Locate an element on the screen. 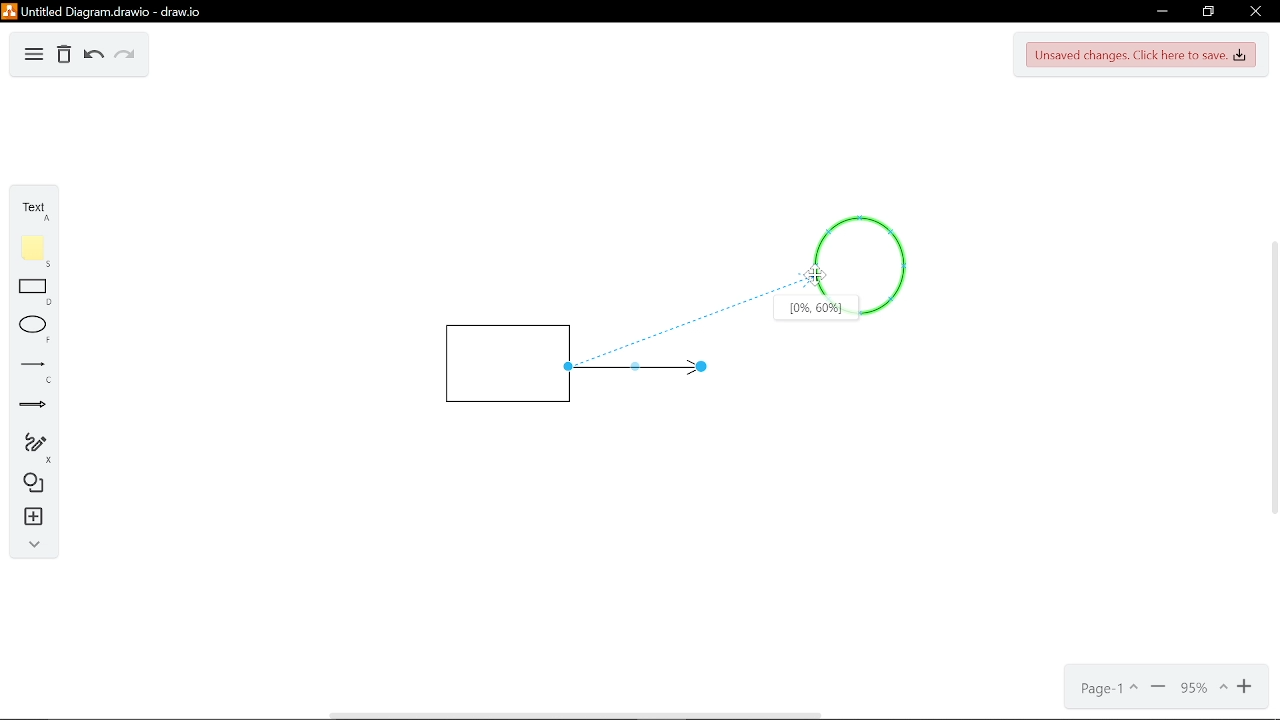 This screenshot has width=1280, height=720. Rectangle is located at coordinates (498, 363).